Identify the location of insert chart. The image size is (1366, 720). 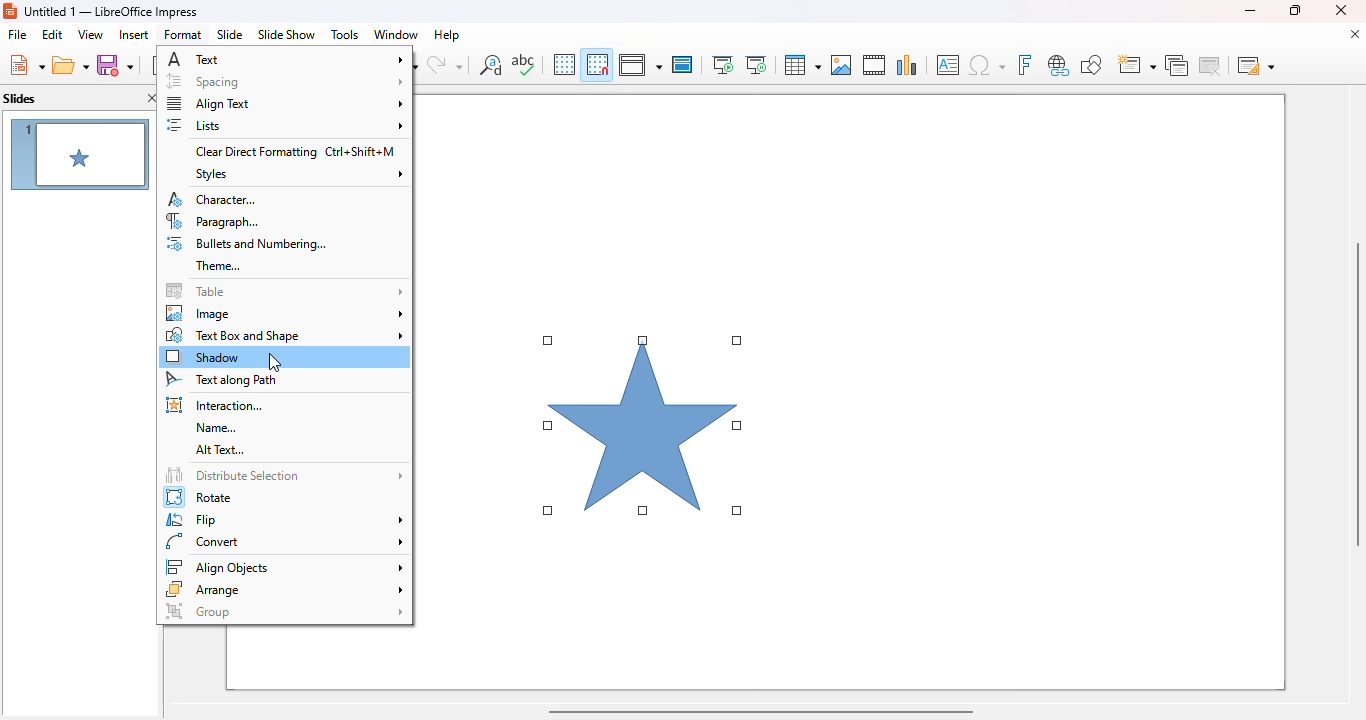
(907, 64).